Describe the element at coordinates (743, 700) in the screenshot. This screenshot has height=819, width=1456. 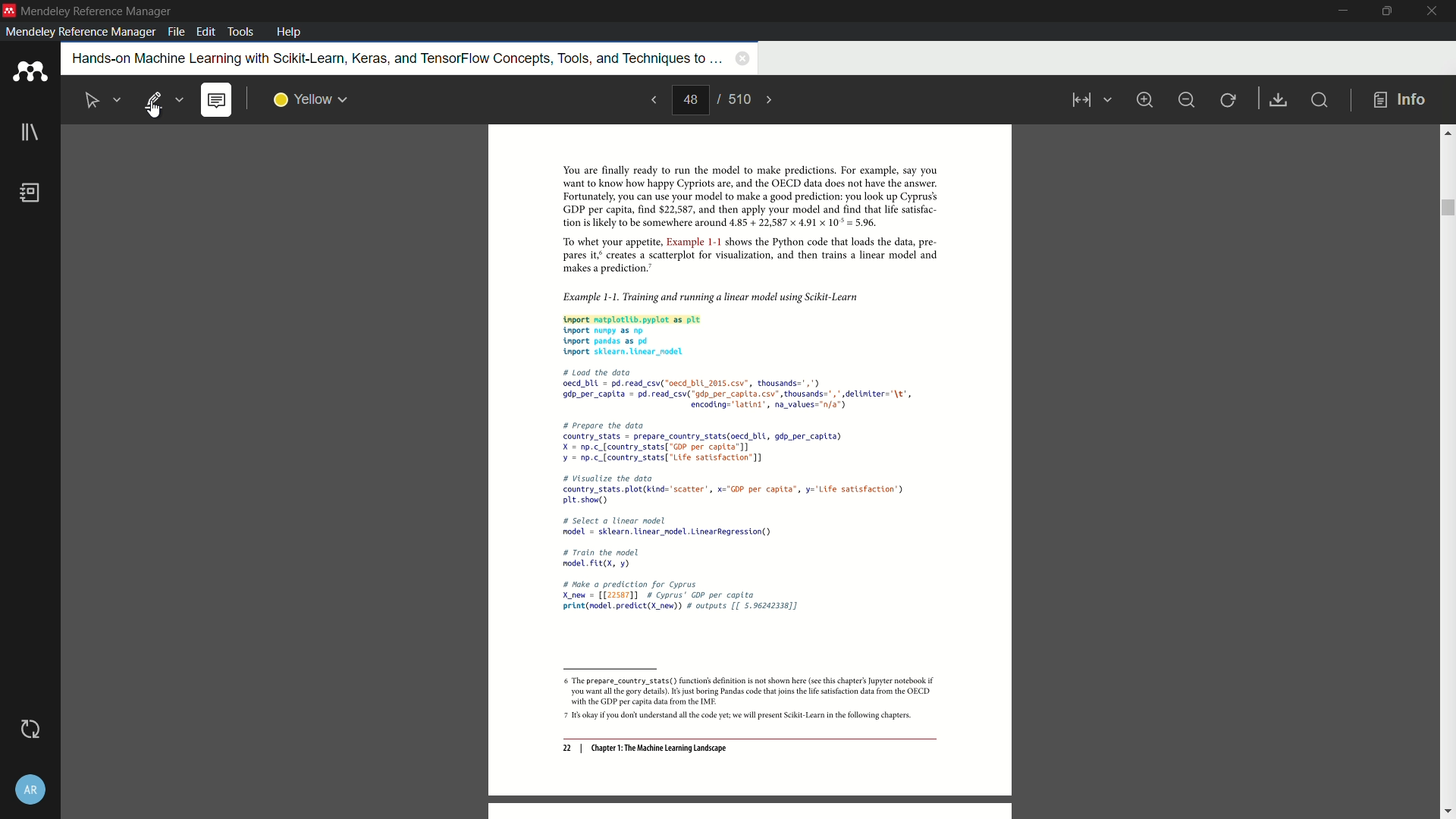
I see `6 The prepare_country_stats() function's definition is not shown here (see this chapter's Jupyter notebook if
‘you want al th gory details). 6s just boring Pandas code that joins th ie satisfaction data from the OECD
‘with the GDP per capita dta from the IMF:

7 1s okay you dont understand all the code yet we will present Scikit-Lear inthe following chapters.` at that location.